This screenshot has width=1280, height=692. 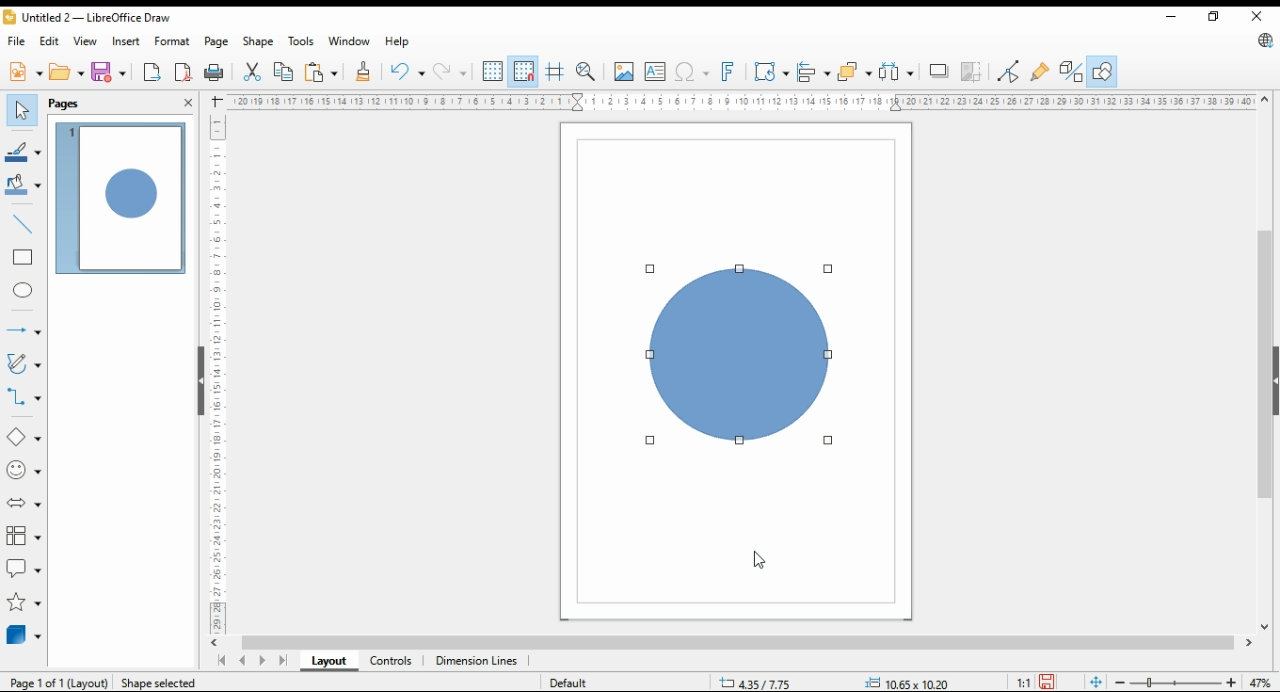 I want to click on clone formatting, so click(x=365, y=72).